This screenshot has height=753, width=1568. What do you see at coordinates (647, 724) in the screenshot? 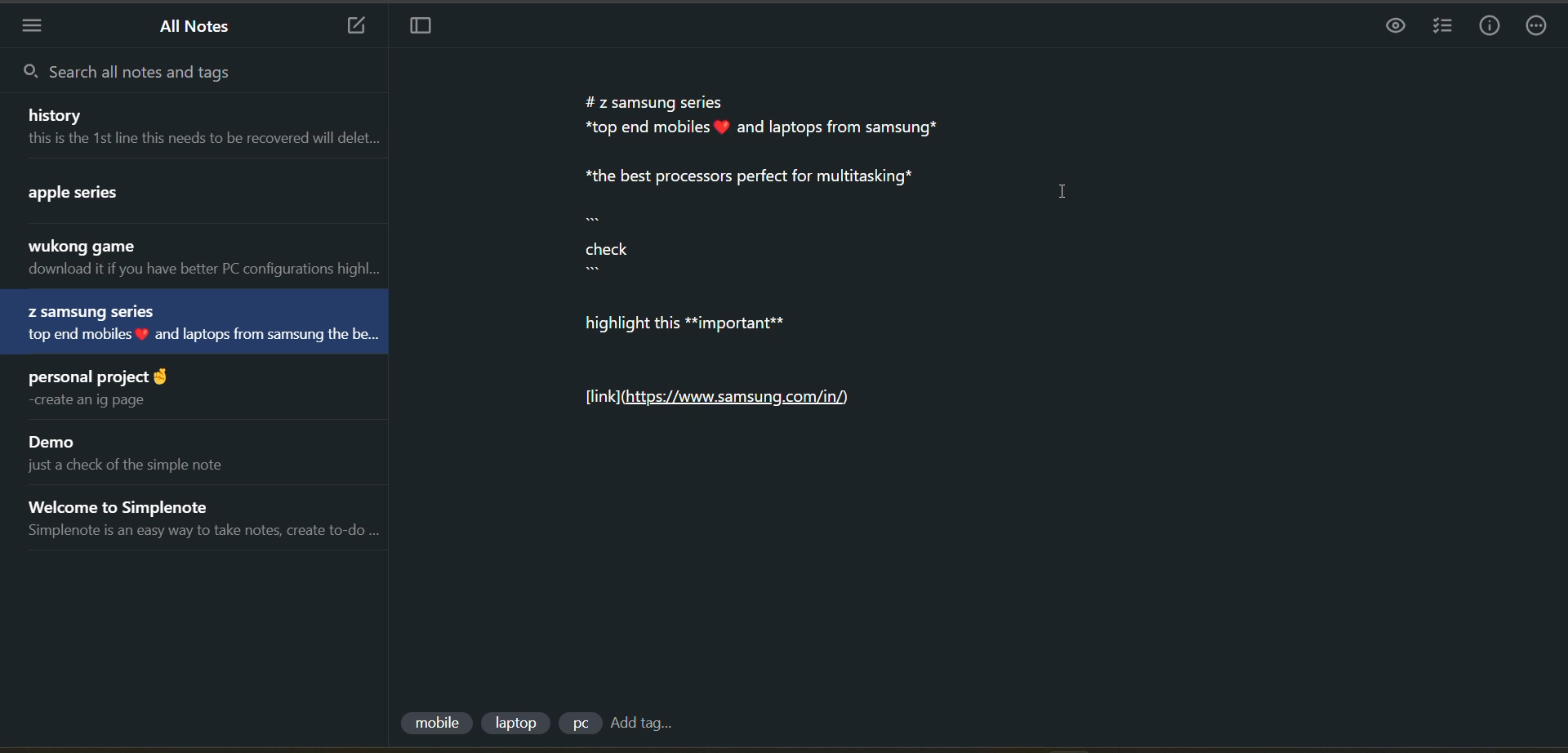
I see `add tag` at bounding box center [647, 724].